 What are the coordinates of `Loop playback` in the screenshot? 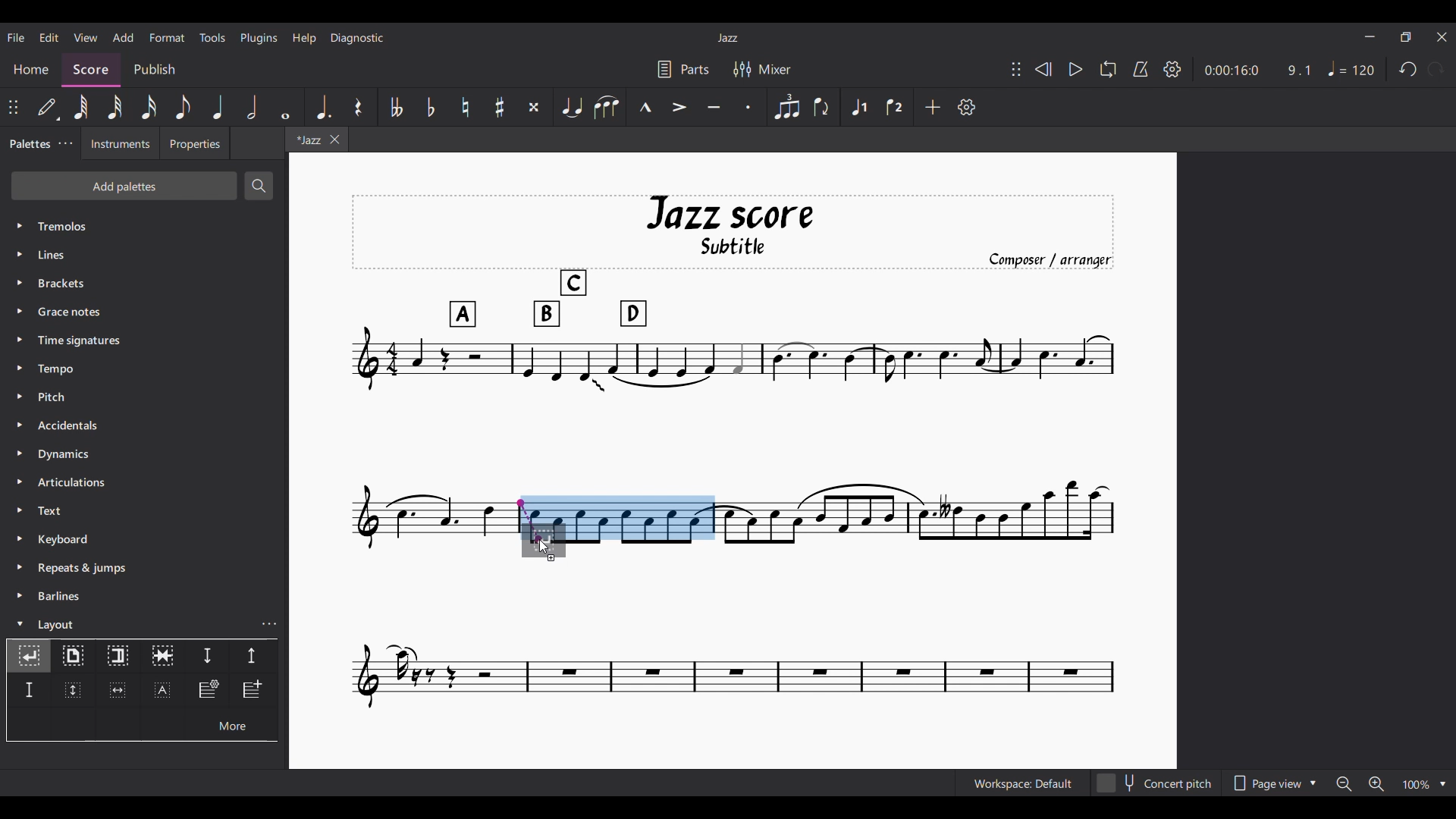 It's located at (1109, 69).